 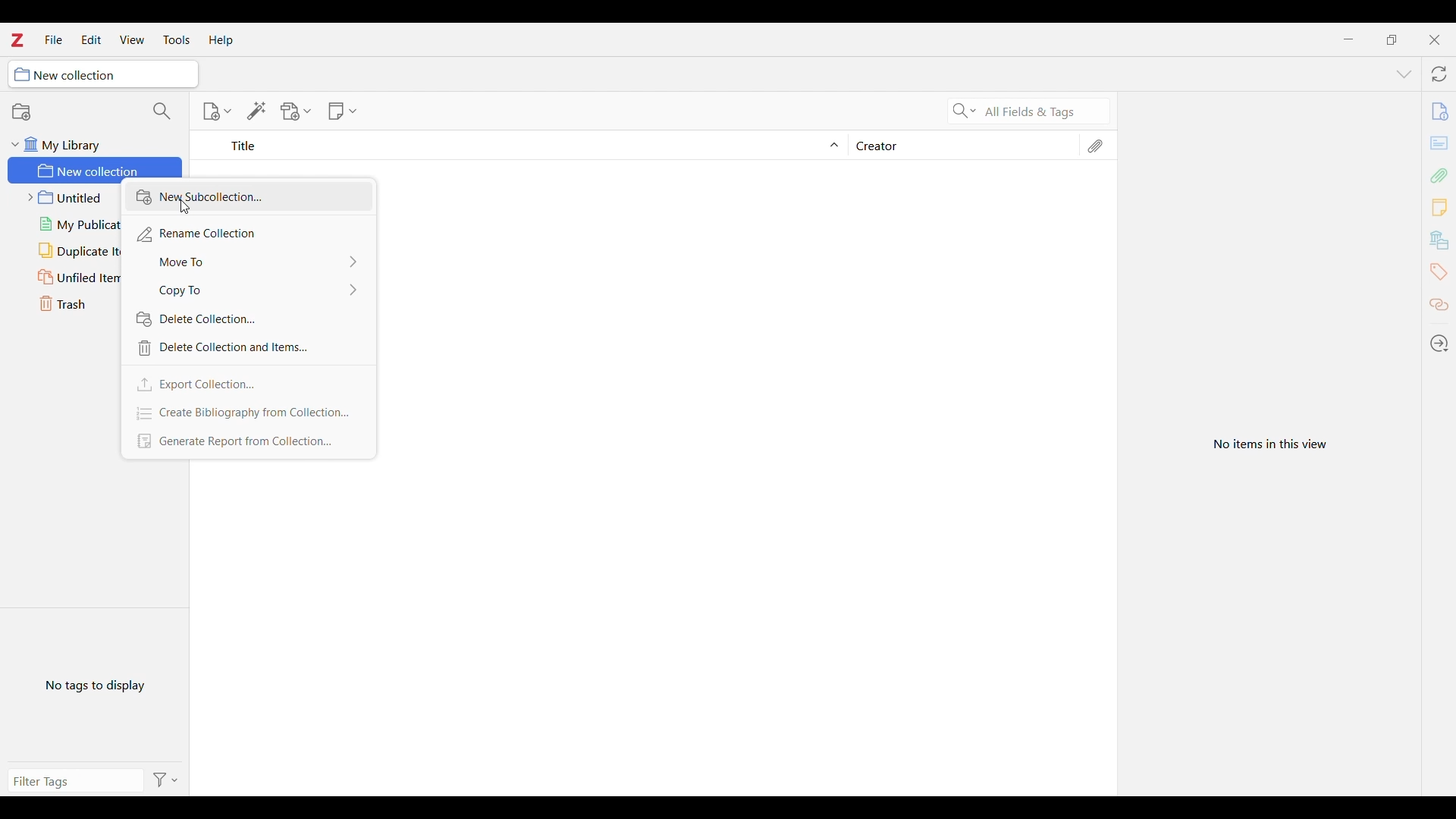 What do you see at coordinates (965, 110) in the screenshot?
I see `Search criteria options` at bounding box center [965, 110].